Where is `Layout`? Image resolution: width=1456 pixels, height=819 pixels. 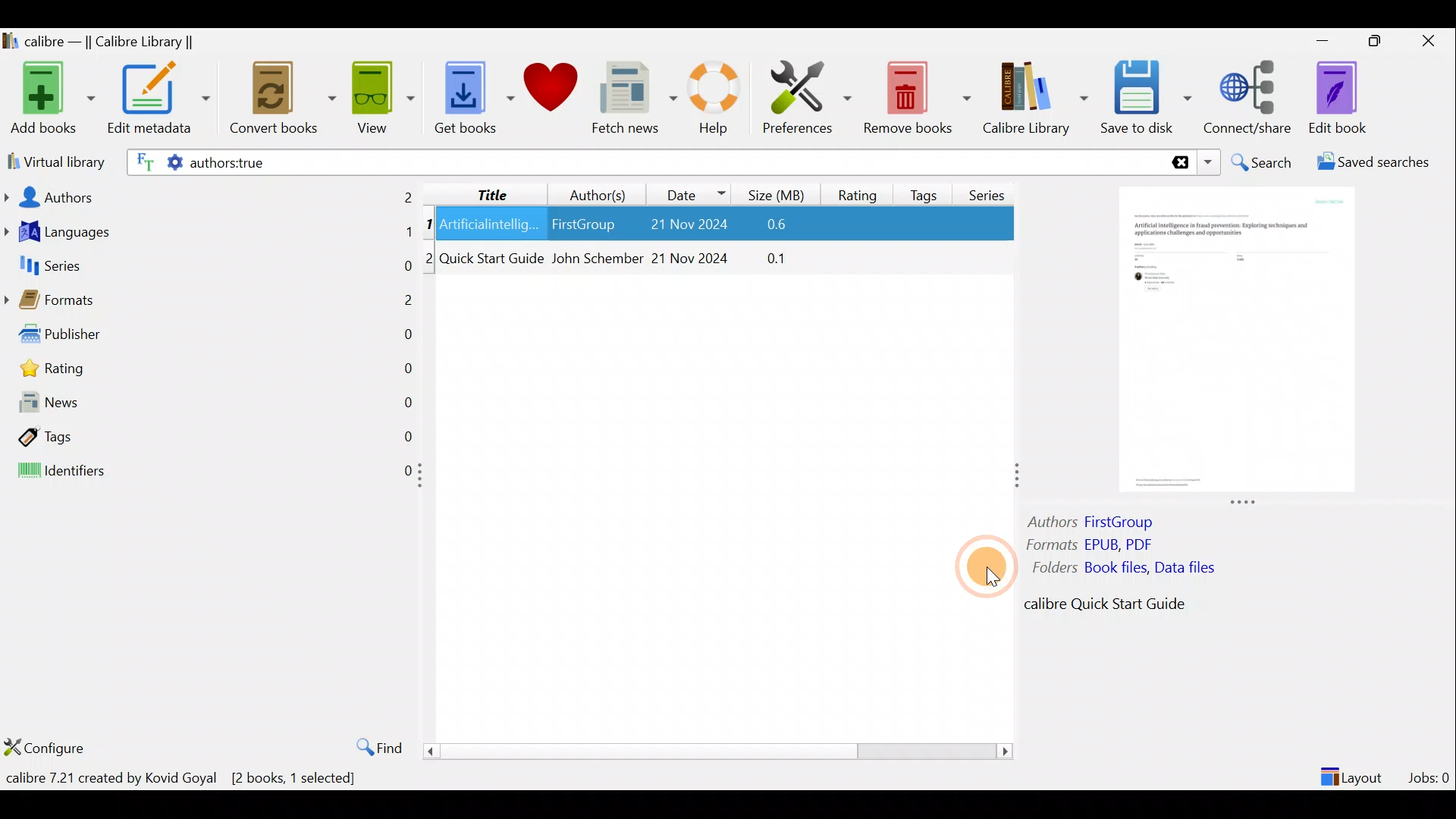
Layout is located at coordinates (1354, 770).